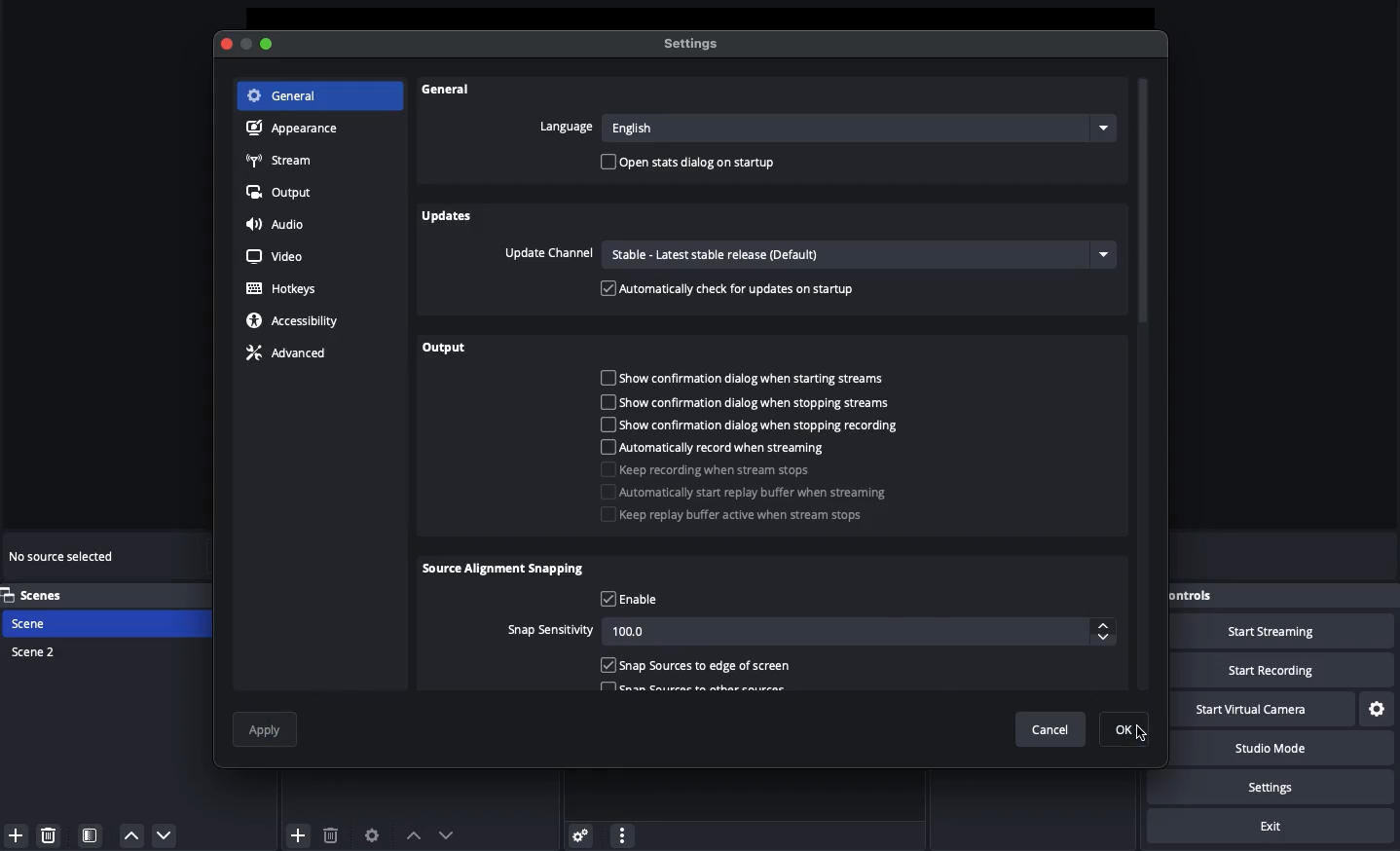 The width and height of the screenshot is (1400, 851). What do you see at coordinates (268, 730) in the screenshot?
I see `apply` at bounding box center [268, 730].